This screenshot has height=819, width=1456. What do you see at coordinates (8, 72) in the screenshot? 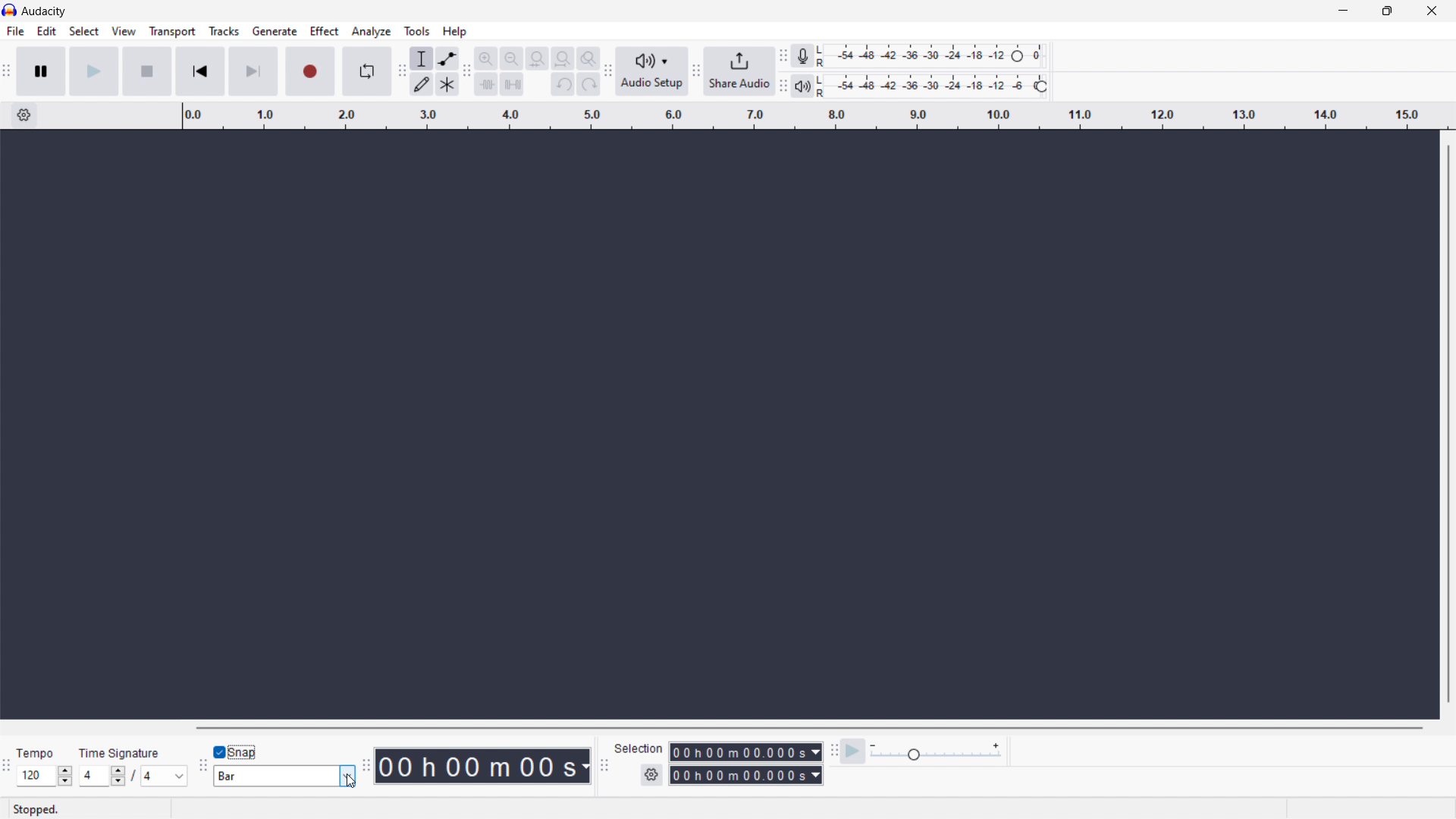
I see `transport toolbar` at bounding box center [8, 72].